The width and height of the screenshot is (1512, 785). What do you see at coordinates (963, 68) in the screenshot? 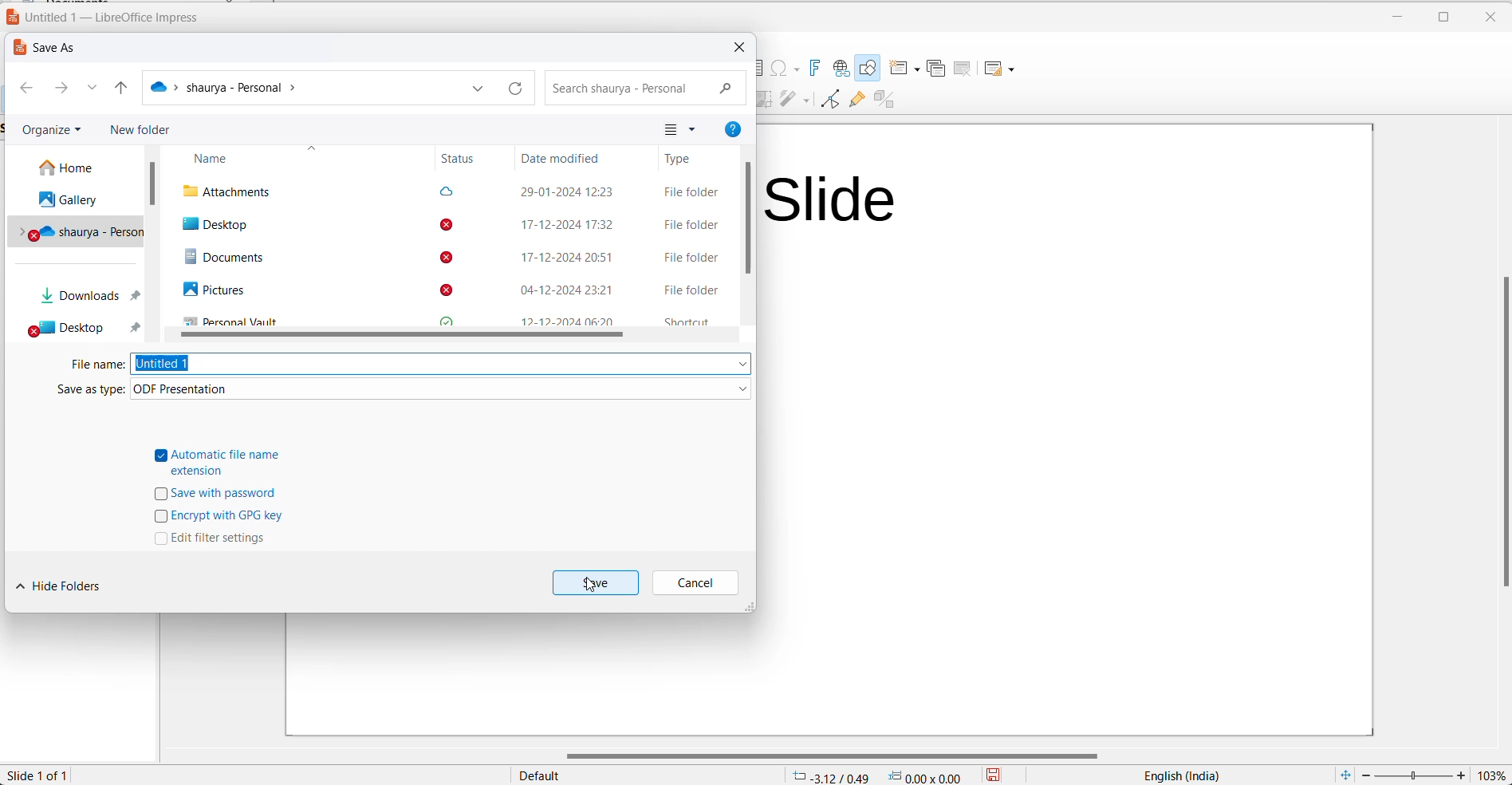
I see `delete slide` at bounding box center [963, 68].